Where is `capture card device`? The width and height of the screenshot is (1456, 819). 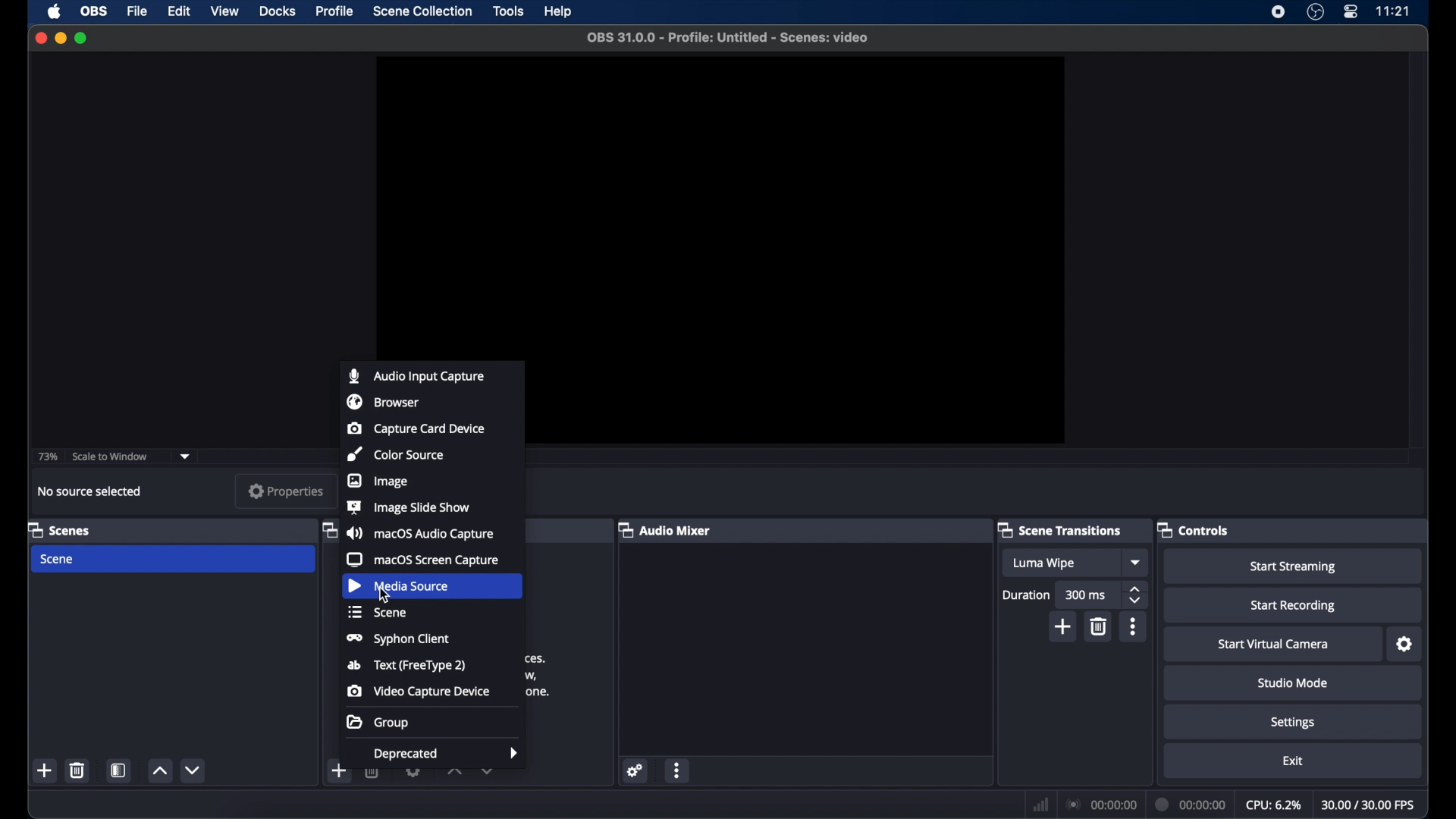
capture card device is located at coordinates (415, 428).